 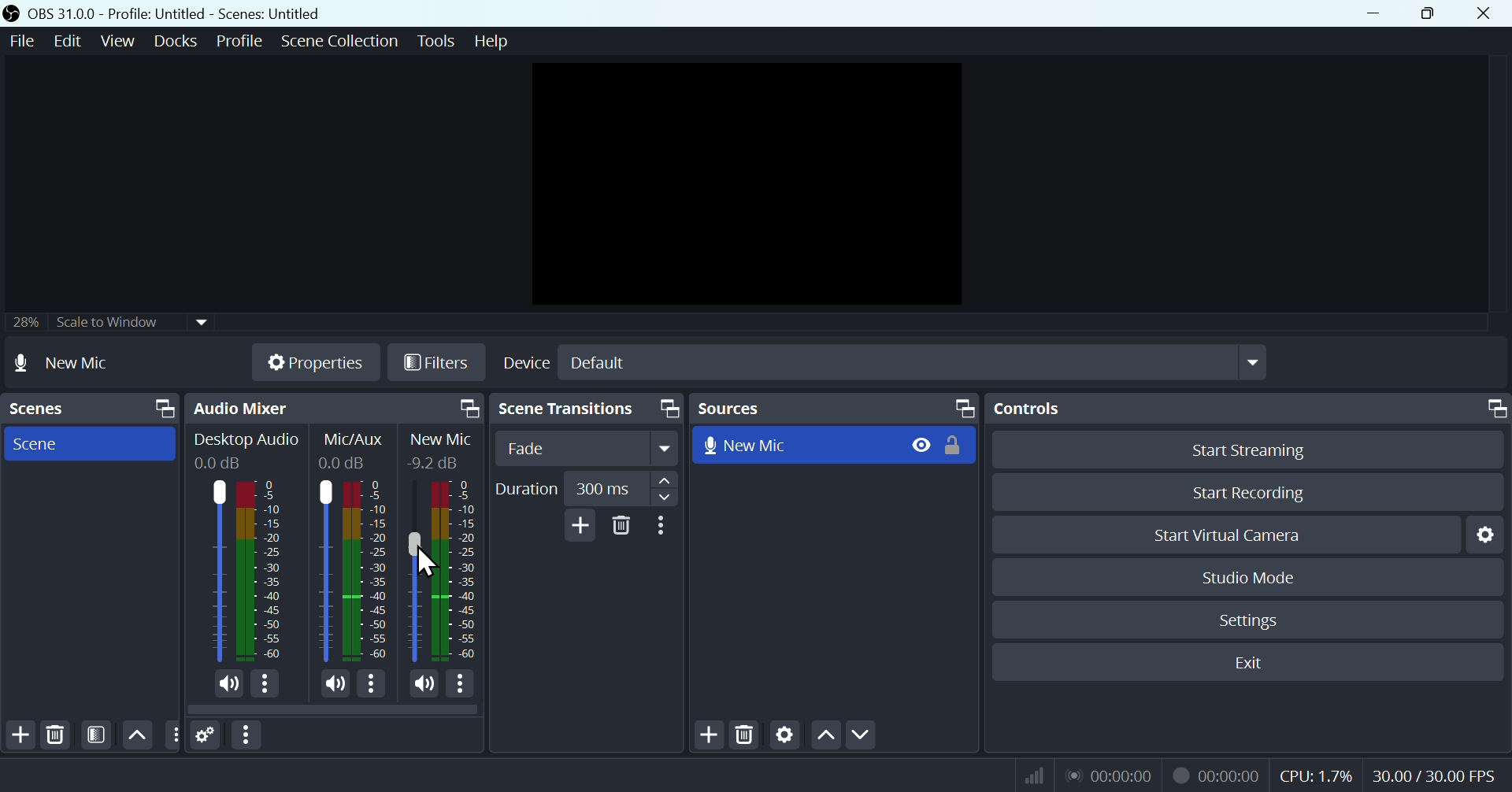 I want to click on Bitrate, so click(x=1032, y=774).